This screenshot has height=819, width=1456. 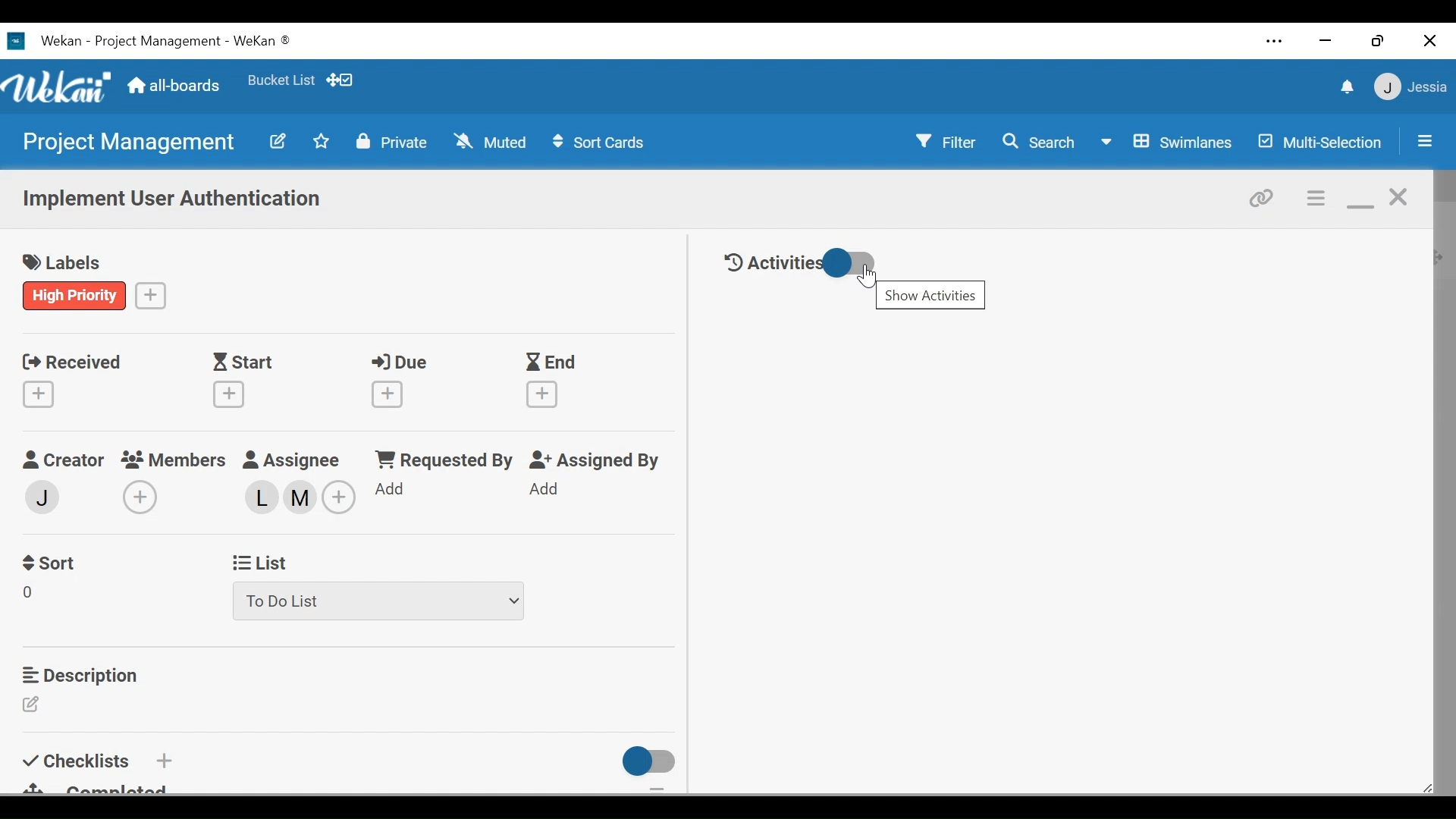 I want to click on close, so click(x=1398, y=196).